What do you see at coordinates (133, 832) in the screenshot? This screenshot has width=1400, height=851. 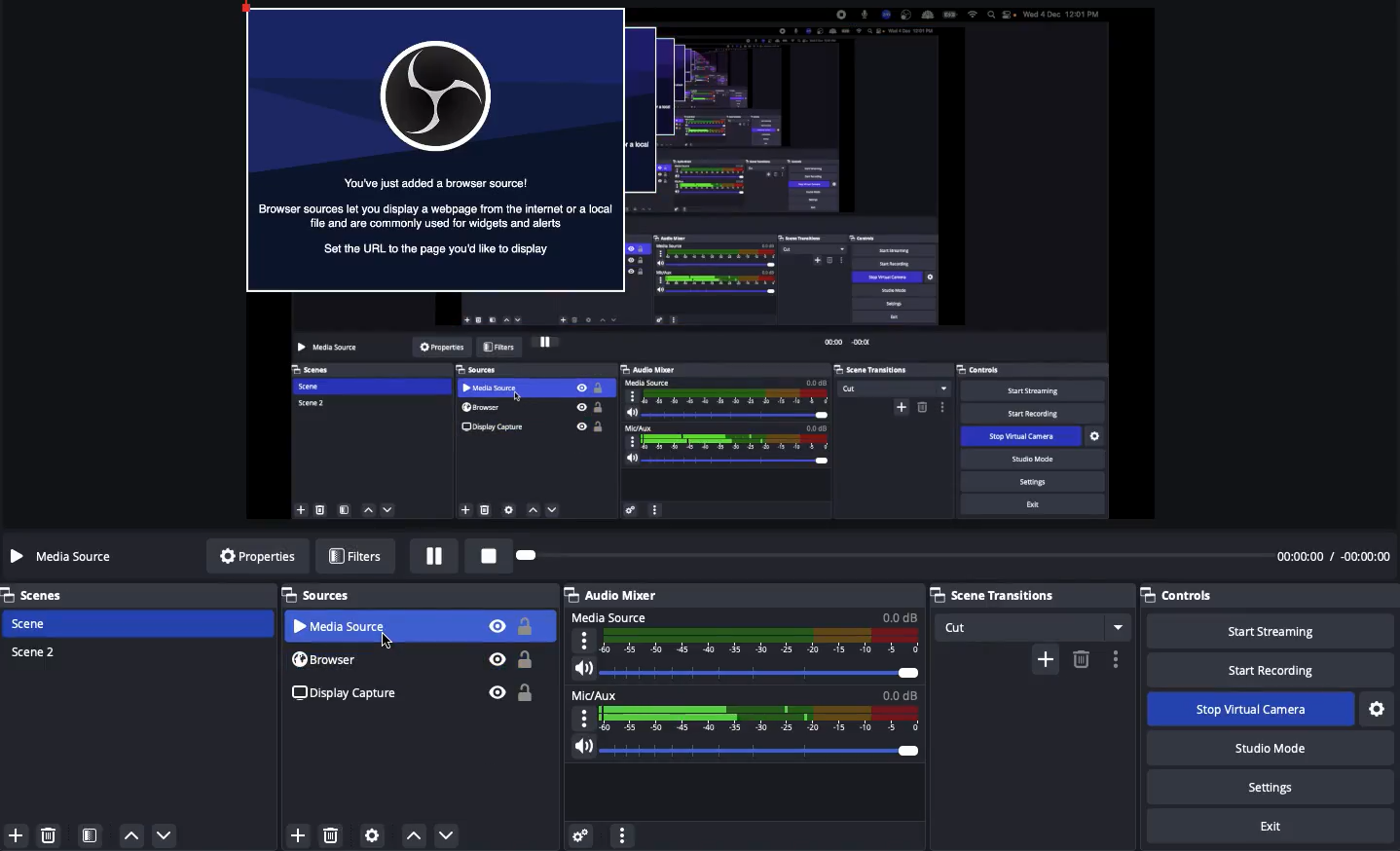 I see `move up` at bounding box center [133, 832].